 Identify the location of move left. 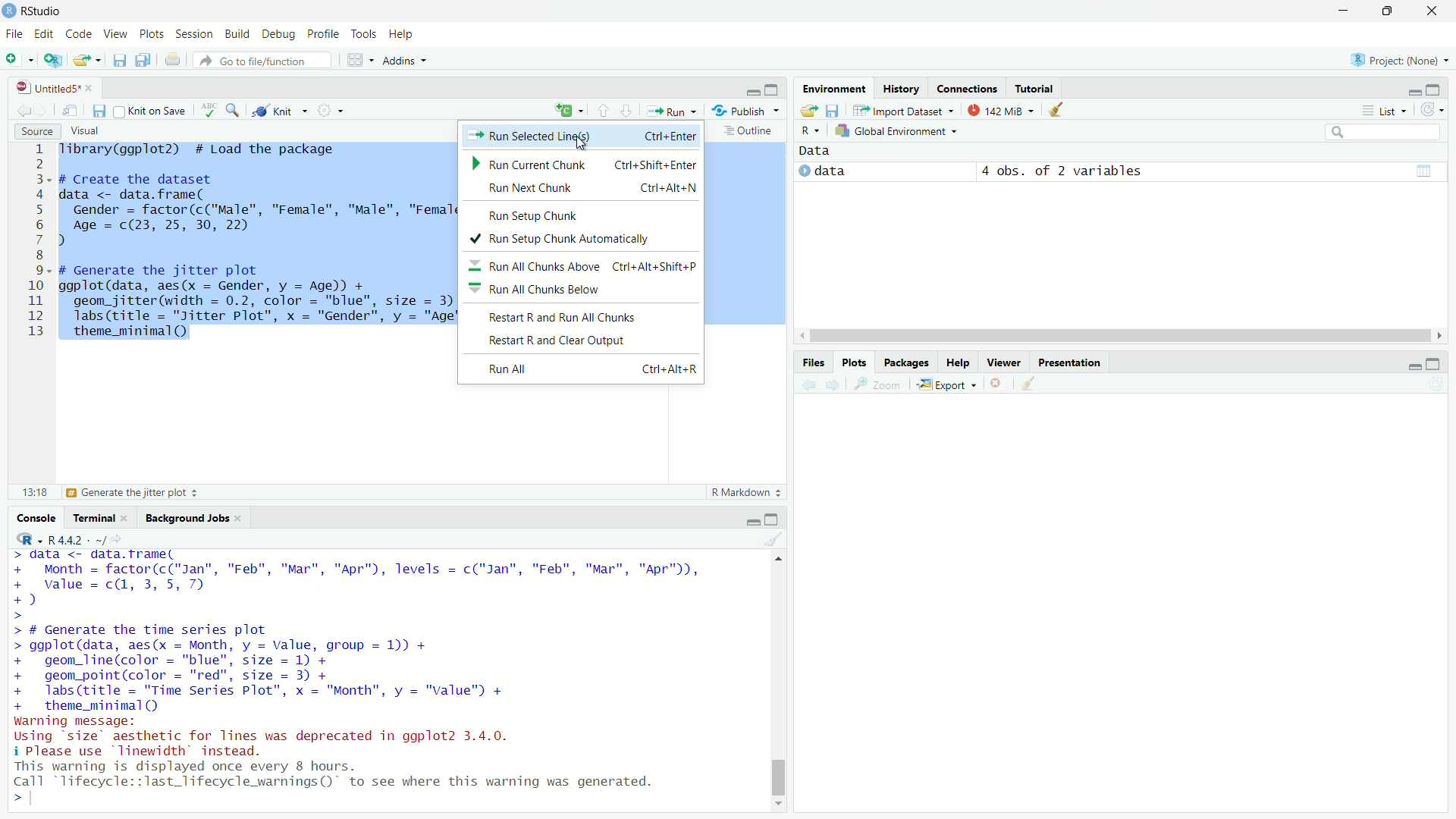
(804, 337).